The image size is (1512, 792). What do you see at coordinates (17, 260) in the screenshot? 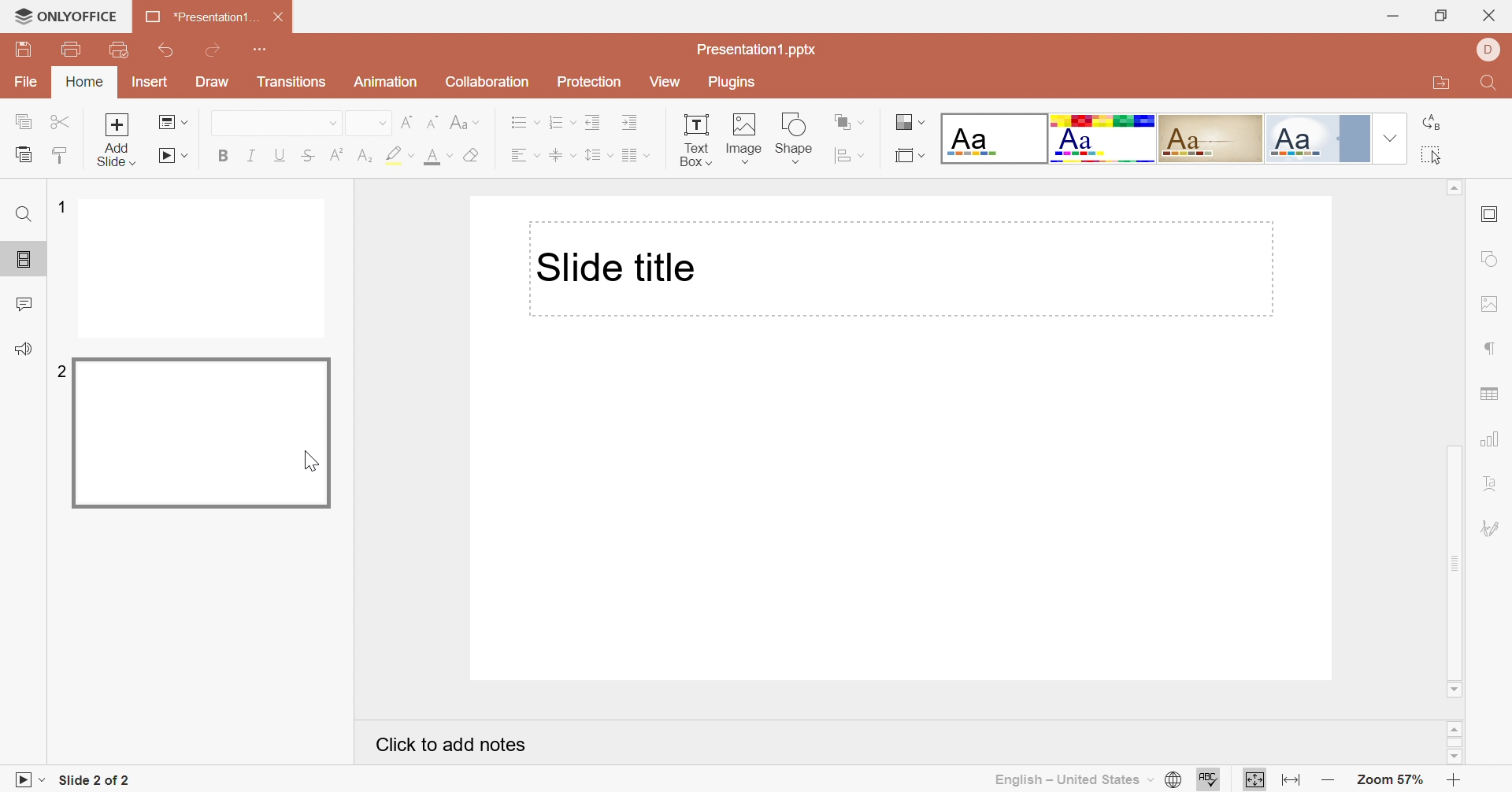
I see `Slides` at bounding box center [17, 260].